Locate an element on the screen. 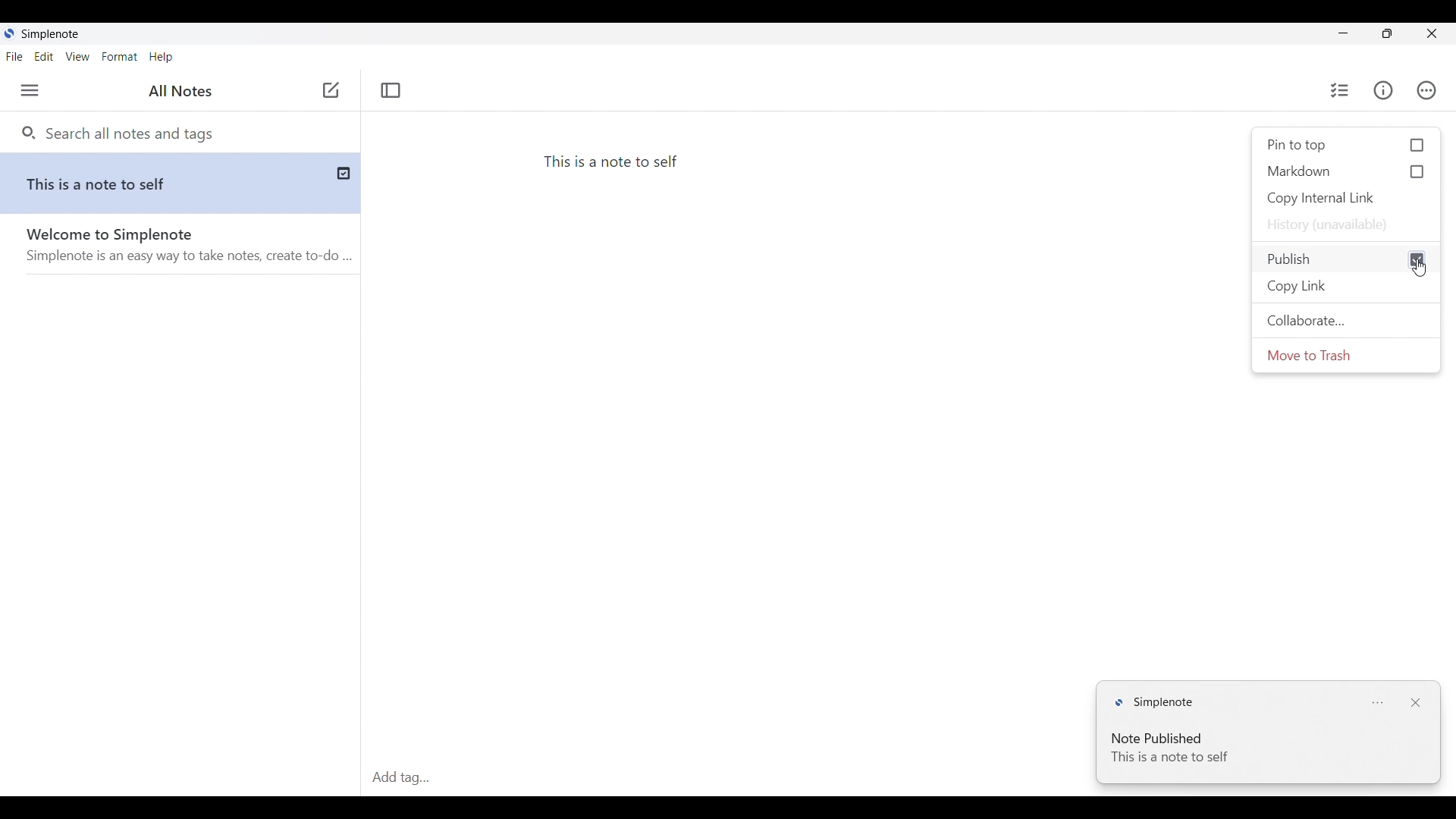  Pin to top is located at coordinates (1346, 145).